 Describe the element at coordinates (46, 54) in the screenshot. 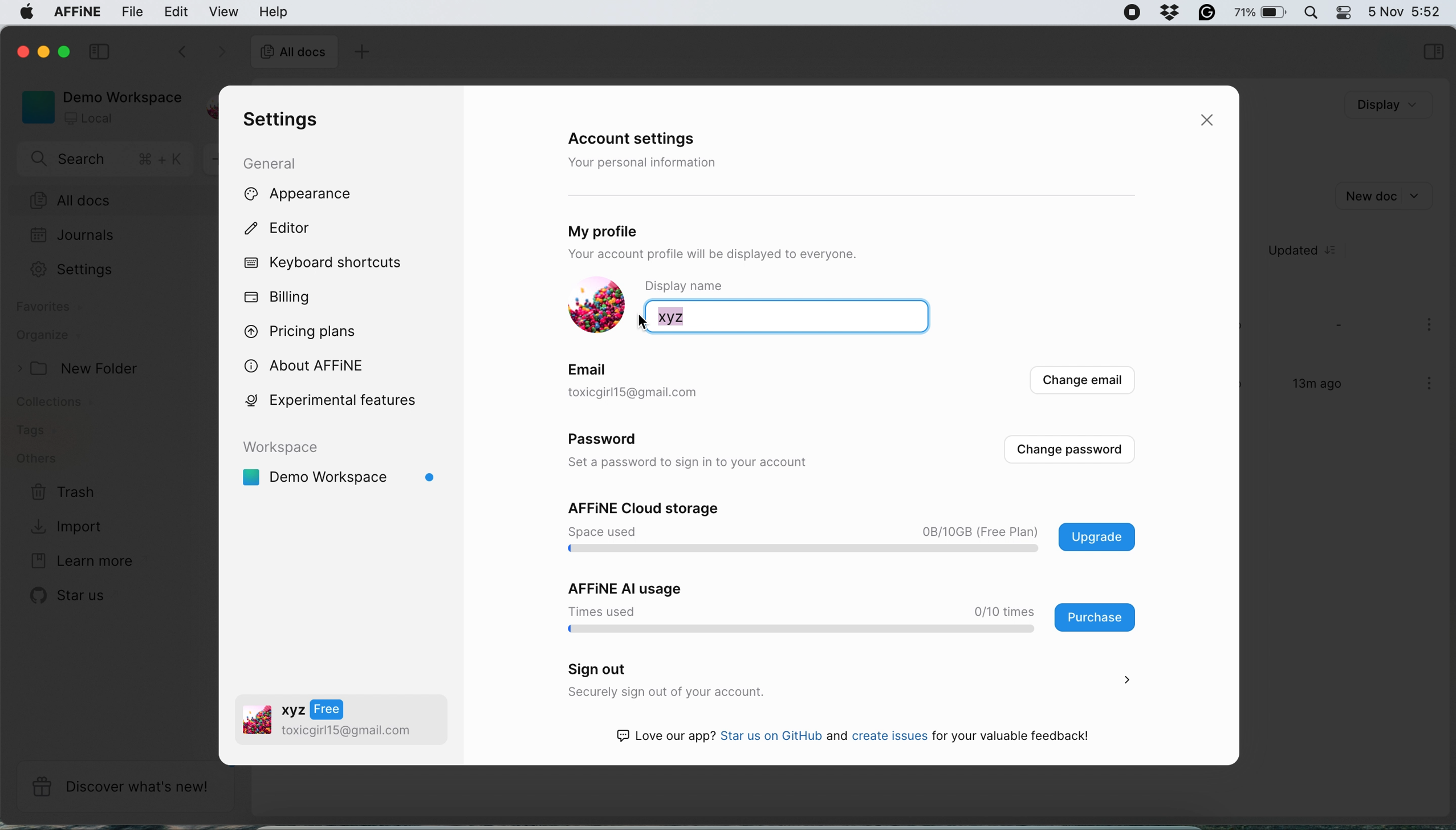

I see `minimise` at that location.